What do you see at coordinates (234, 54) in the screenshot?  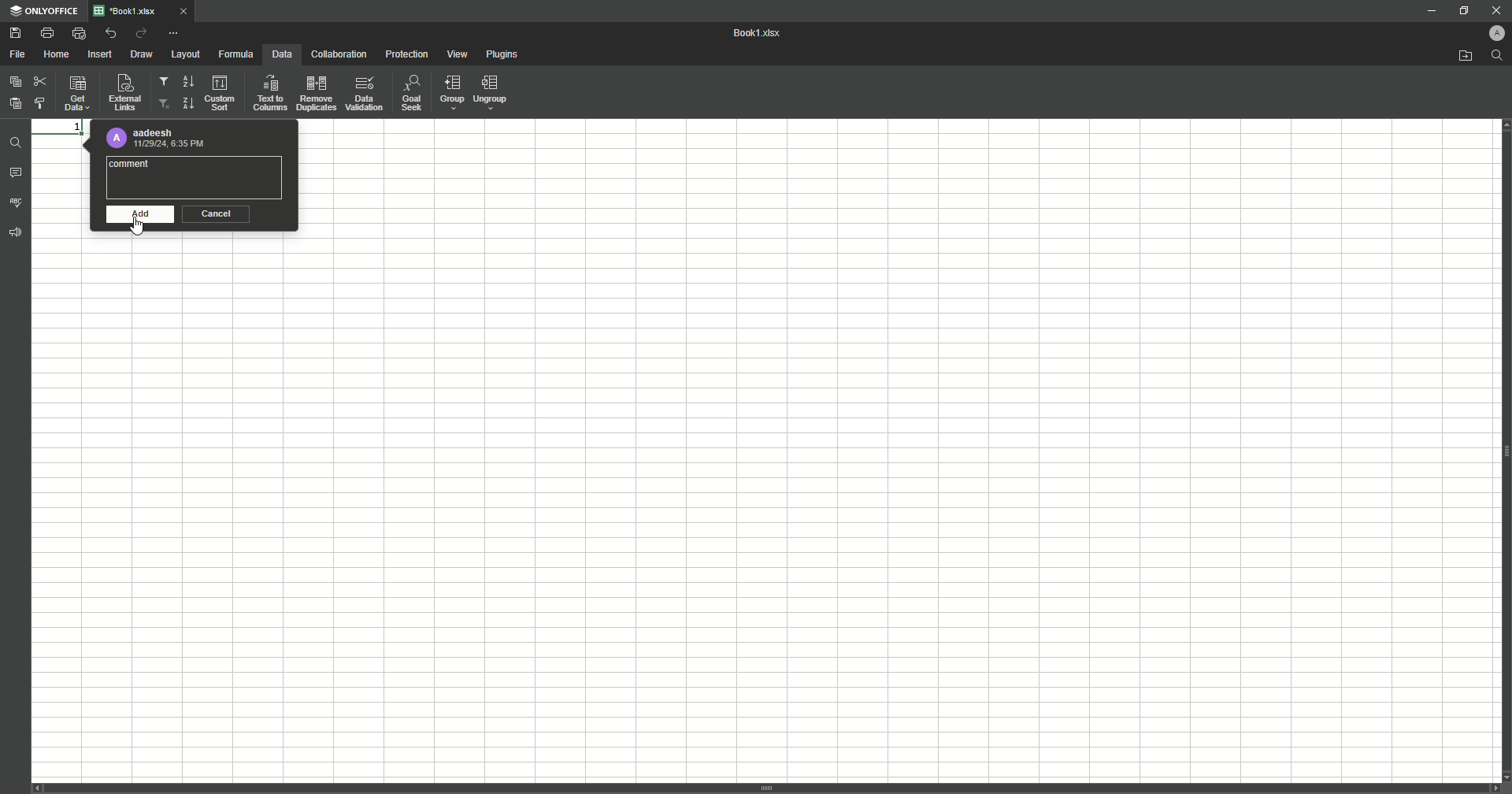 I see `Formula` at bounding box center [234, 54].